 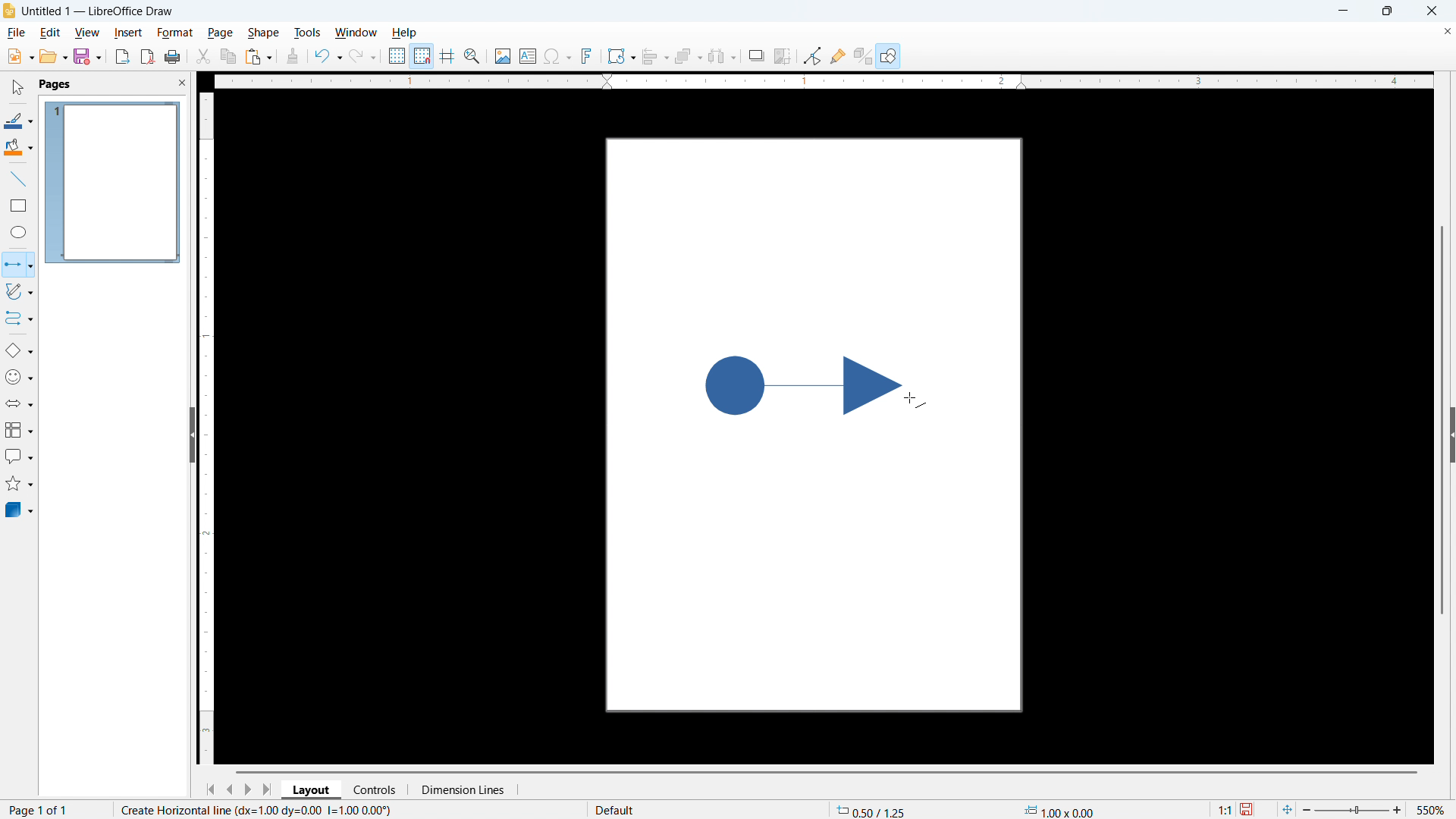 What do you see at coordinates (863, 55) in the screenshot?
I see `Toggle extrusion ` at bounding box center [863, 55].